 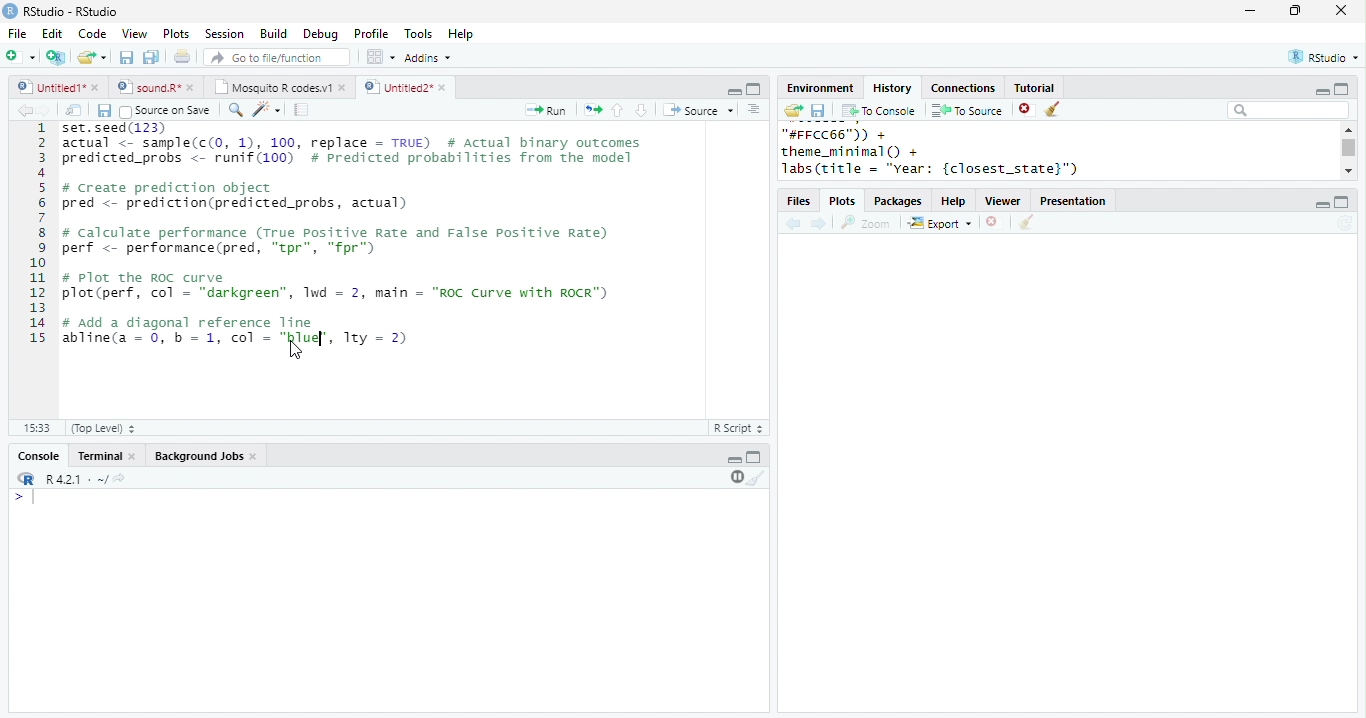 What do you see at coordinates (27, 497) in the screenshot?
I see `>` at bounding box center [27, 497].